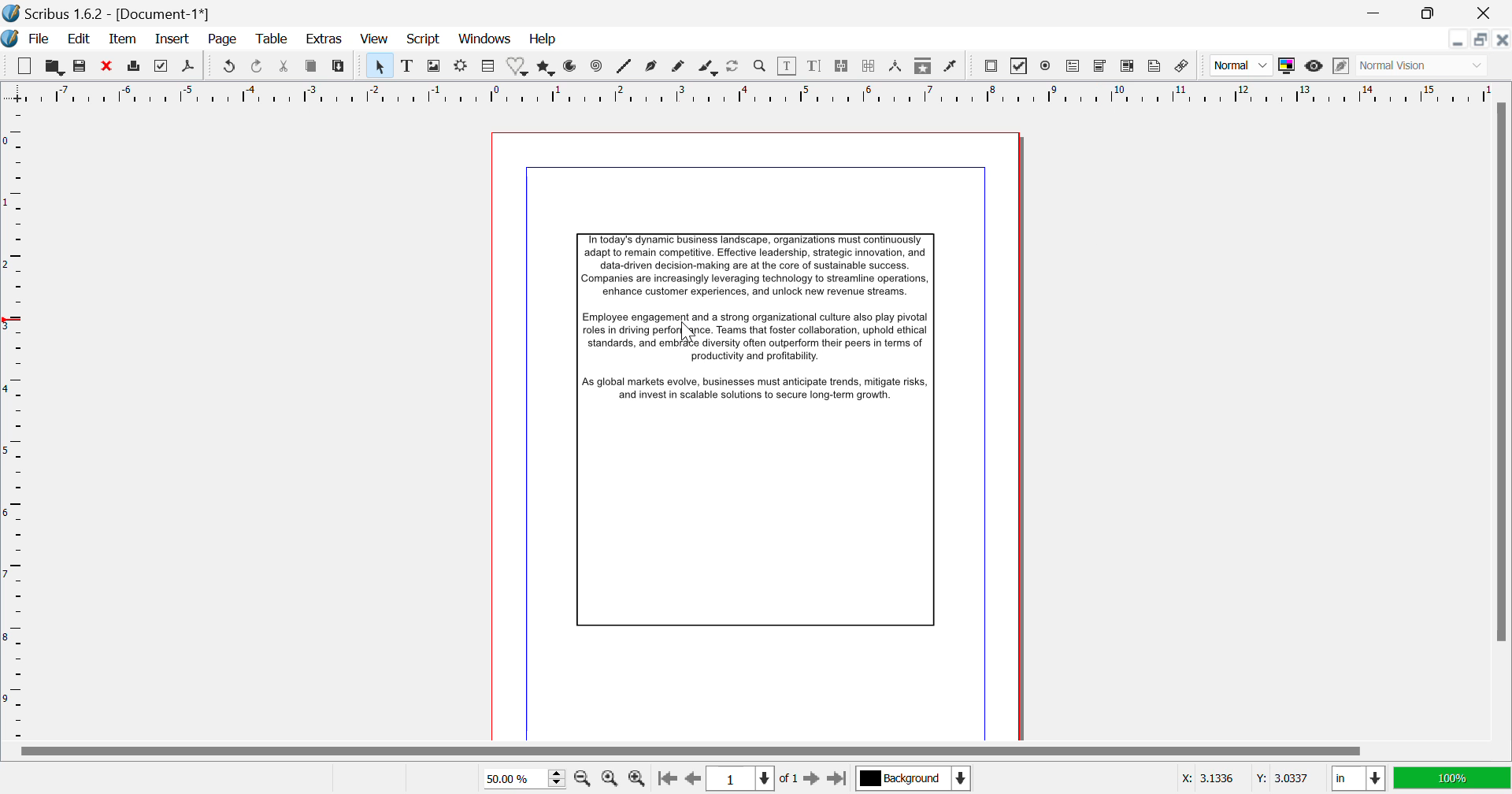 This screenshot has width=1512, height=794. Describe the element at coordinates (813, 779) in the screenshot. I see `Next Page` at that location.